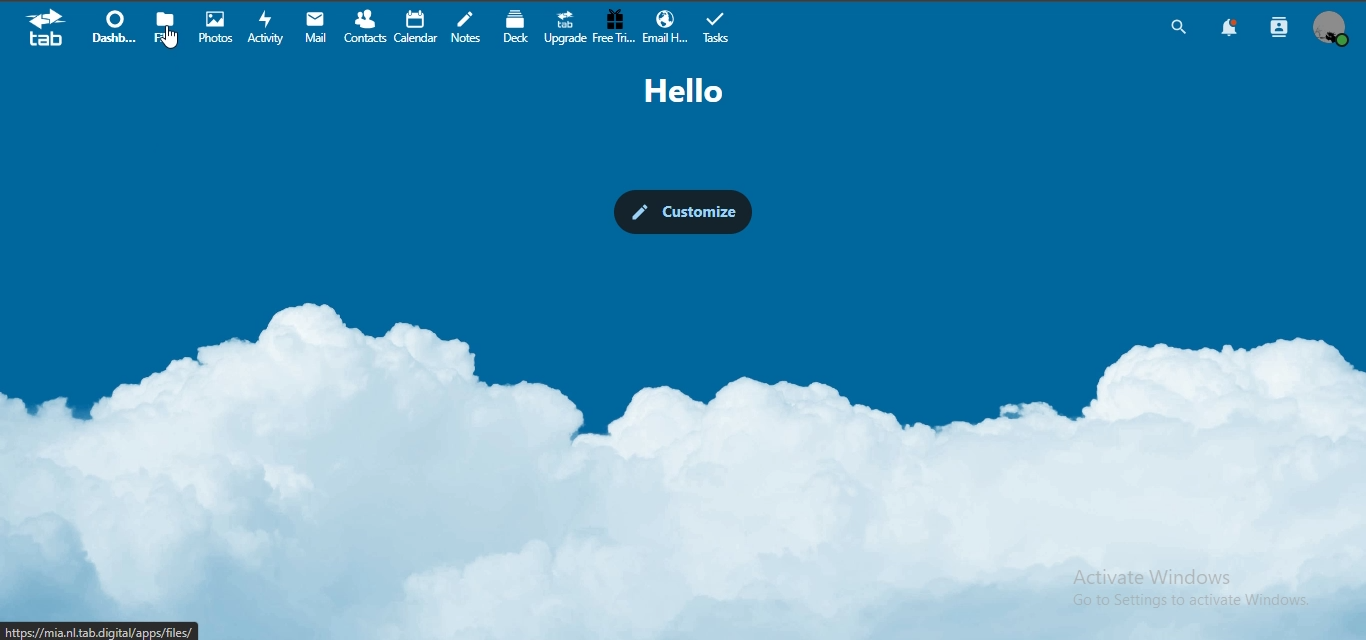  What do you see at coordinates (166, 26) in the screenshot?
I see `files` at bounding box center [166, 26].